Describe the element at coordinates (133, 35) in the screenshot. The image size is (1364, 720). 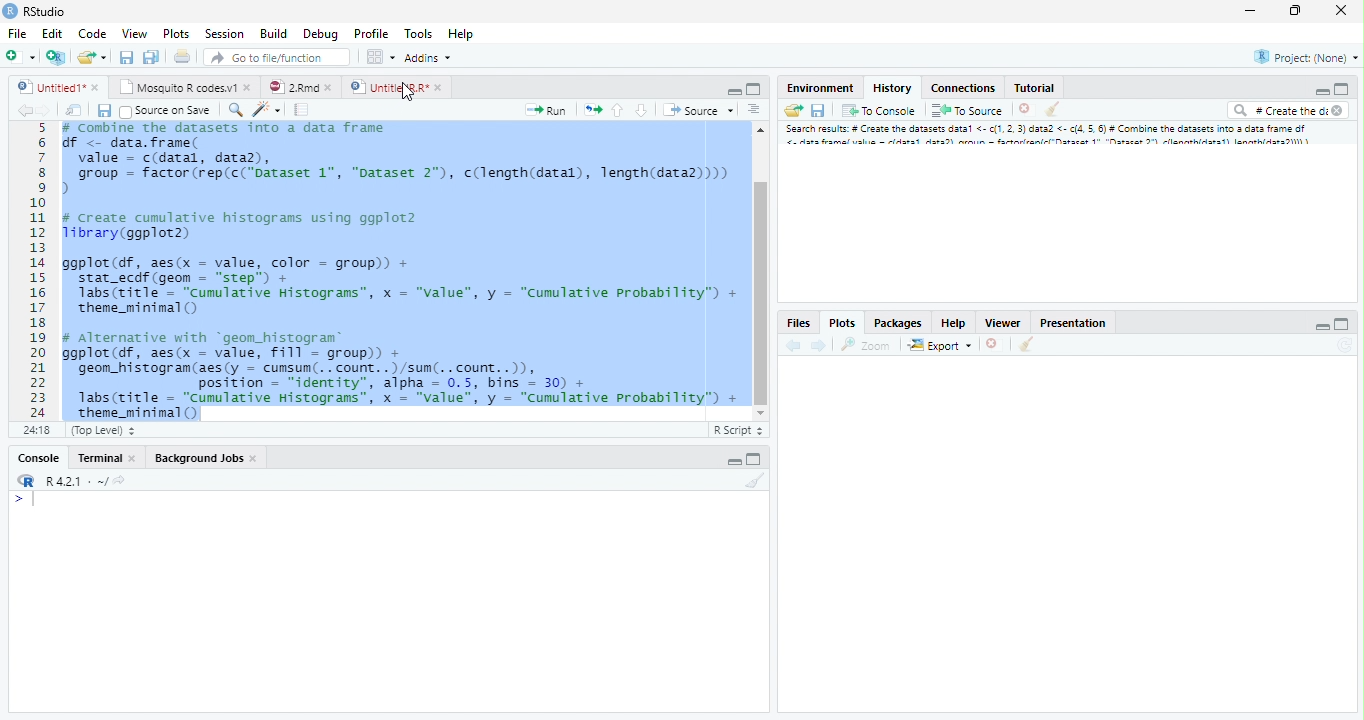
I see `View` at that location.